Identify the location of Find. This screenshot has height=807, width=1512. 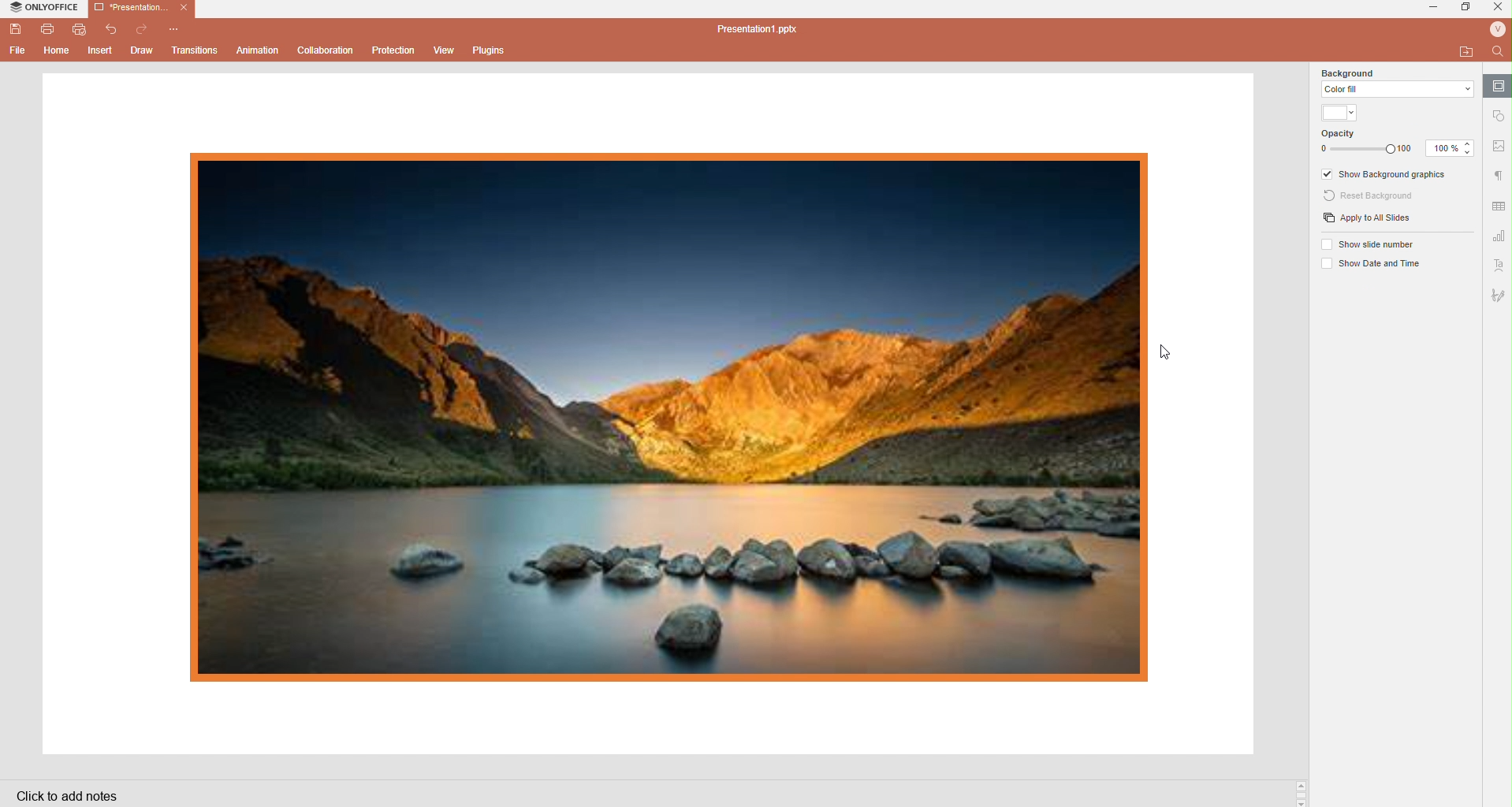
(1497, 50).